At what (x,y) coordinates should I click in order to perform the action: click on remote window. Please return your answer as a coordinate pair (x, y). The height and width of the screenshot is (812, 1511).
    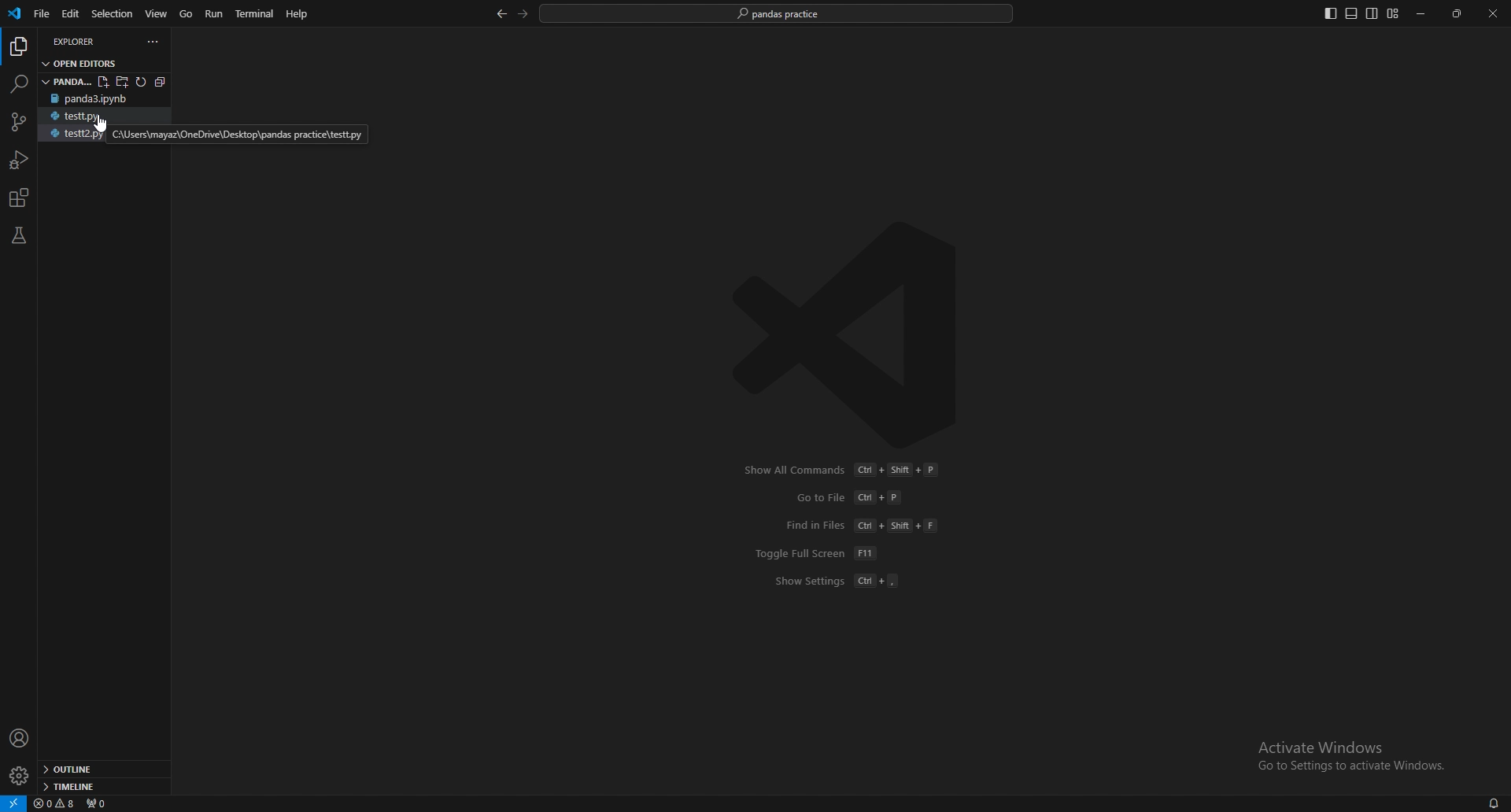
    Looking at the image, I should click on (13, 803).